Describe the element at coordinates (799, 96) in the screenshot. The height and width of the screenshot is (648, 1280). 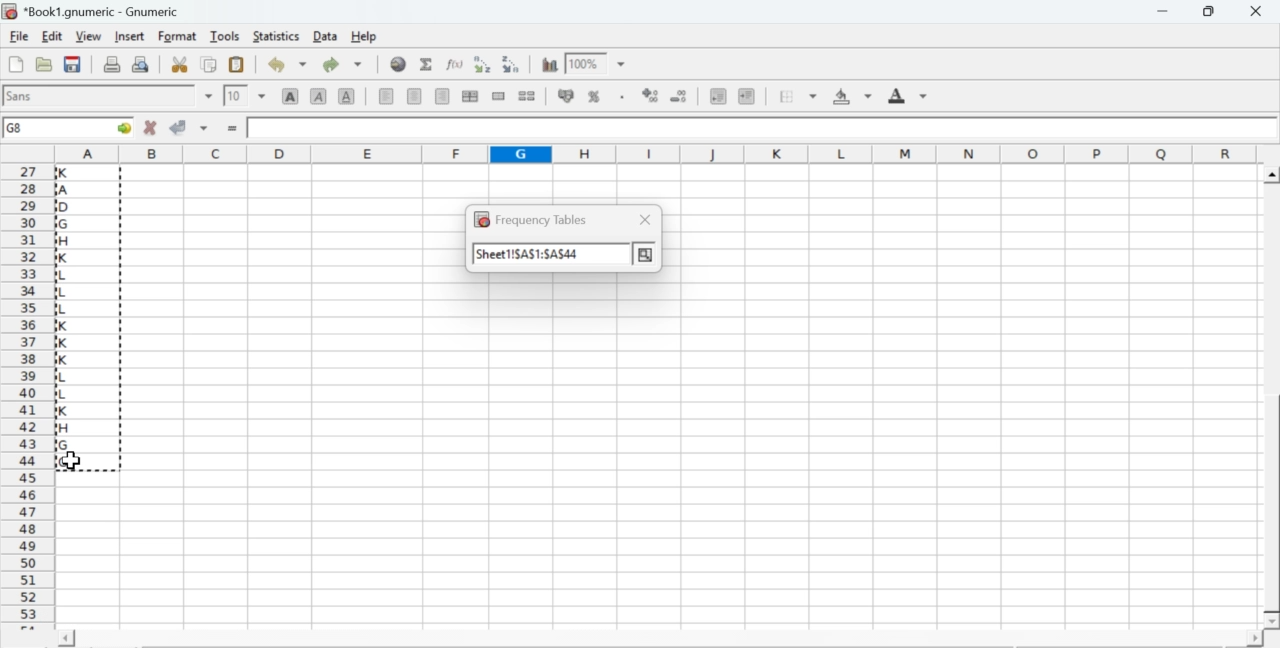
I see `borders` at that location.